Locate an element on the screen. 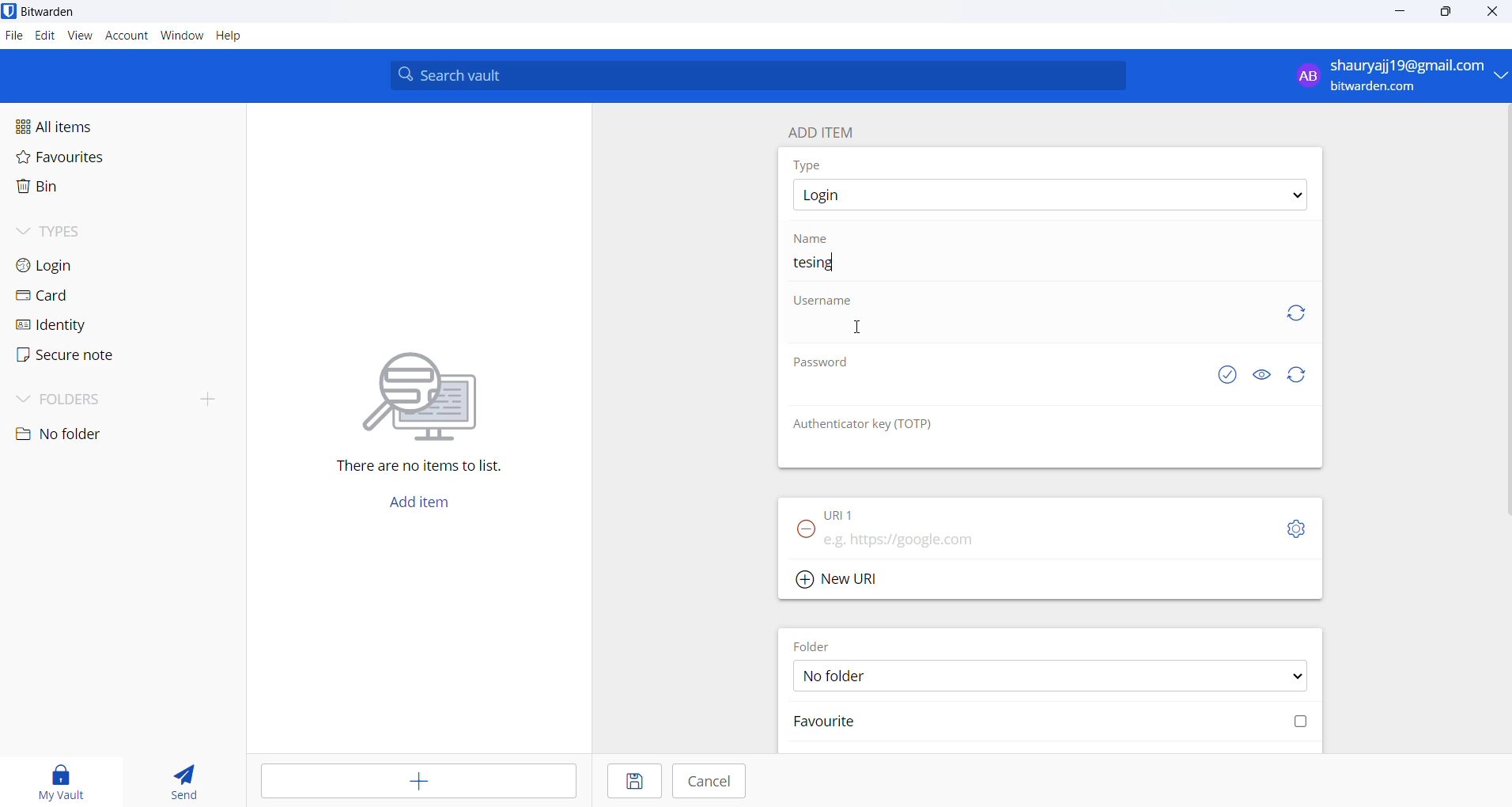  identity is located at coordinates (60, 324).